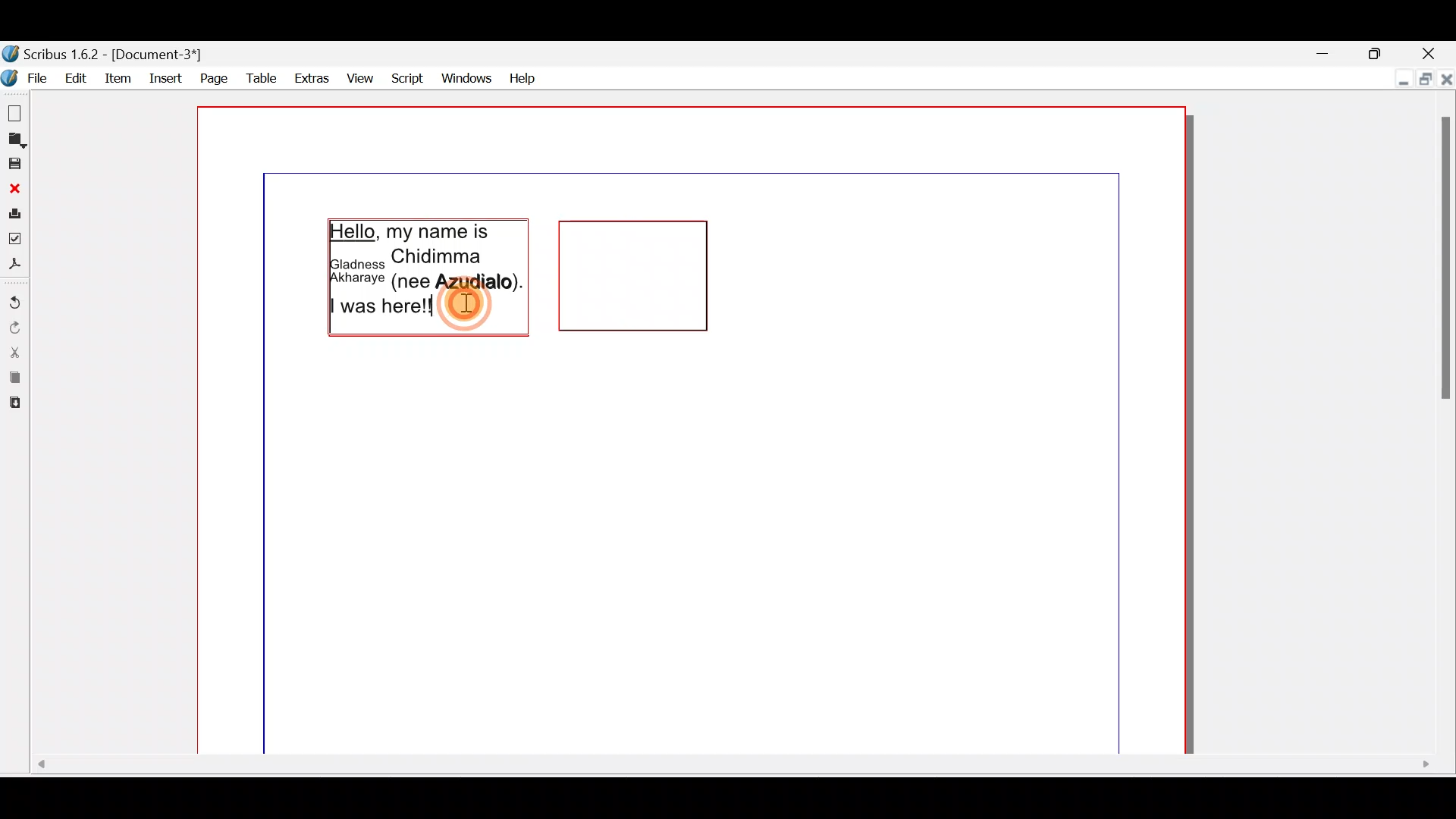  Describe the element at coordinates (15, 406) in the screenshot. I see `Paste` at that location.